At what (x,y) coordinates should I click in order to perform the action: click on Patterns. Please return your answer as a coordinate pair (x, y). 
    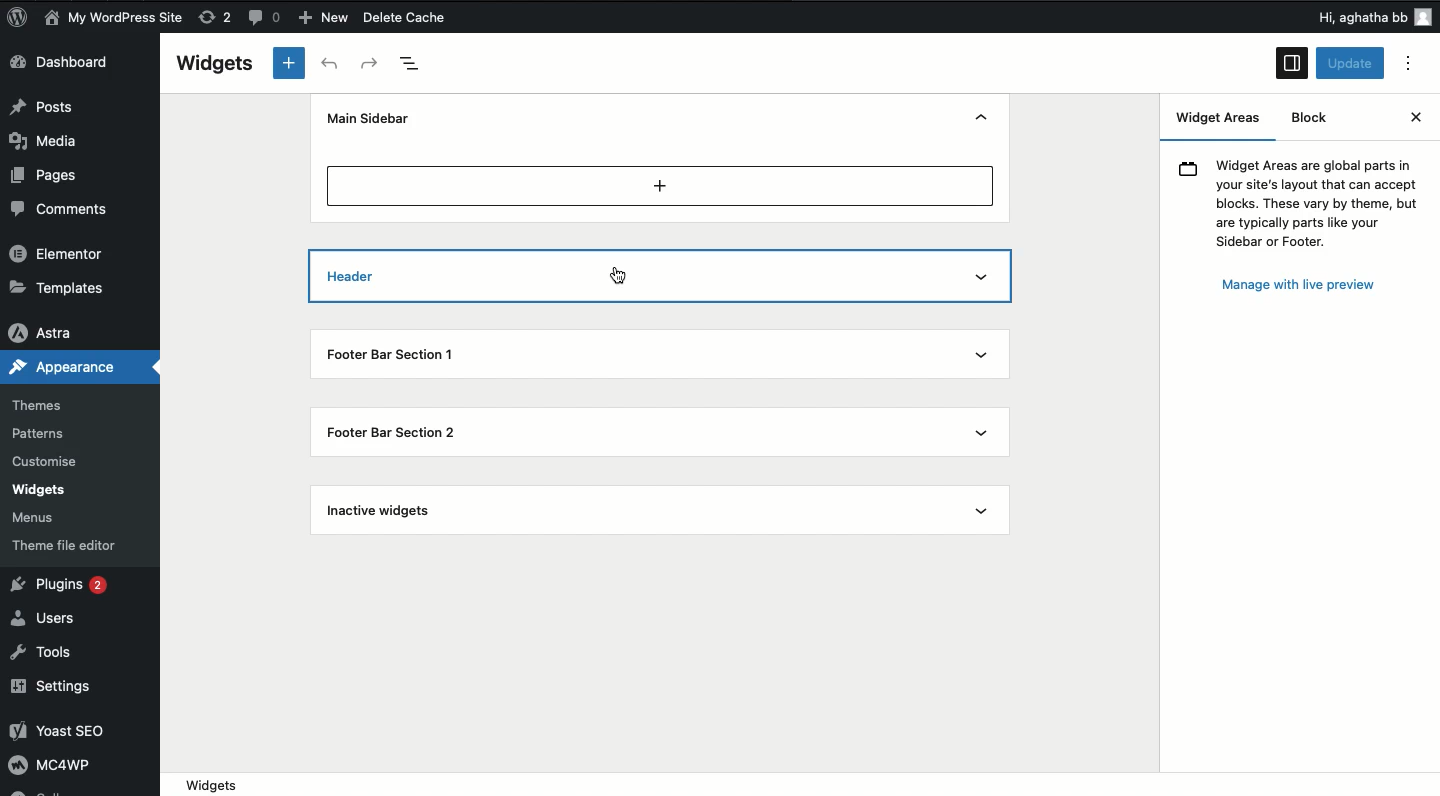
    Looking at the image, I should click on (44, 434).